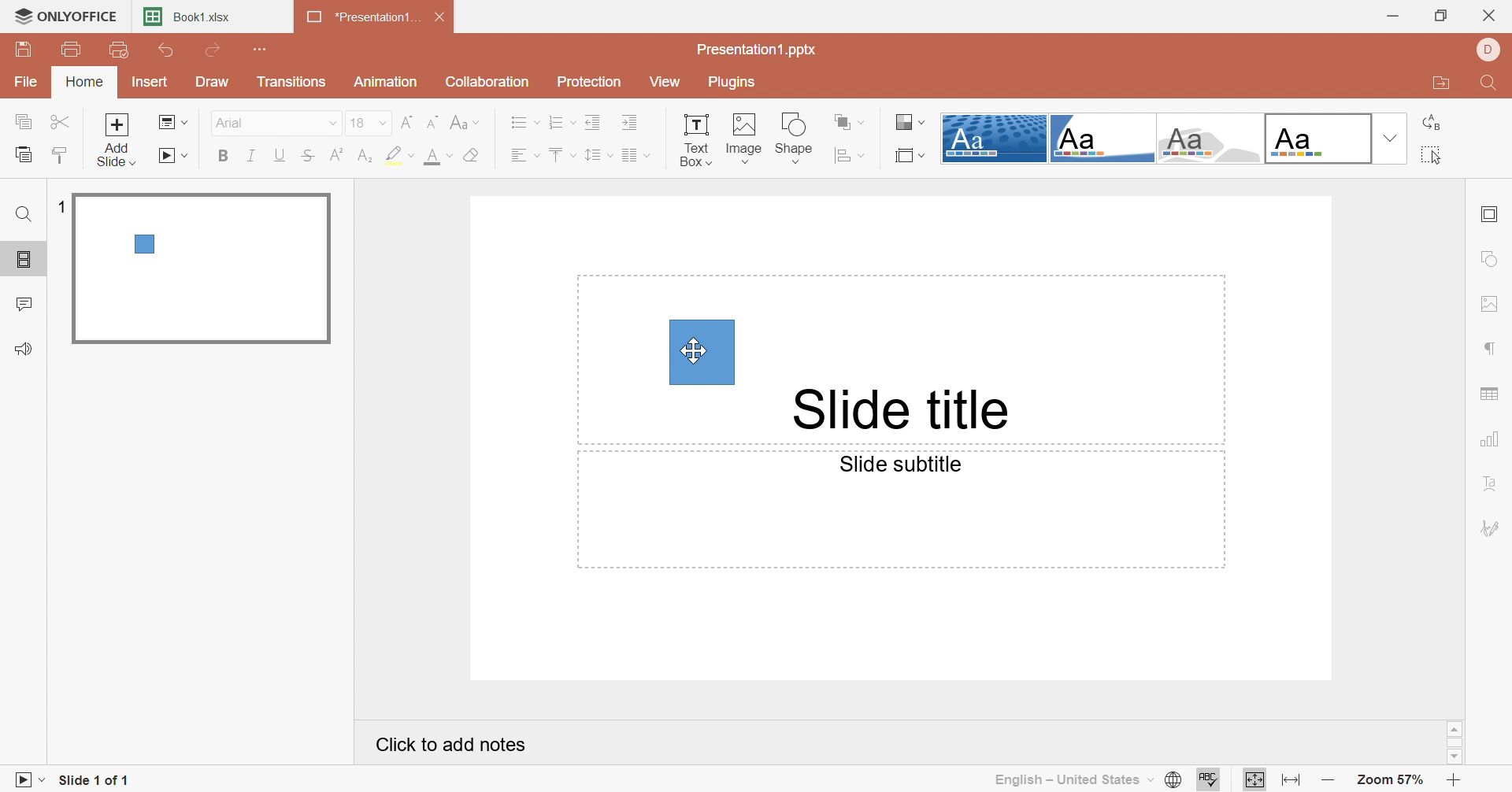 The width and height of the screenshot is (1512, 792). Describe the element at coordinates (26, 349) in the screenshot. I see `Feedback & Support` at that location.